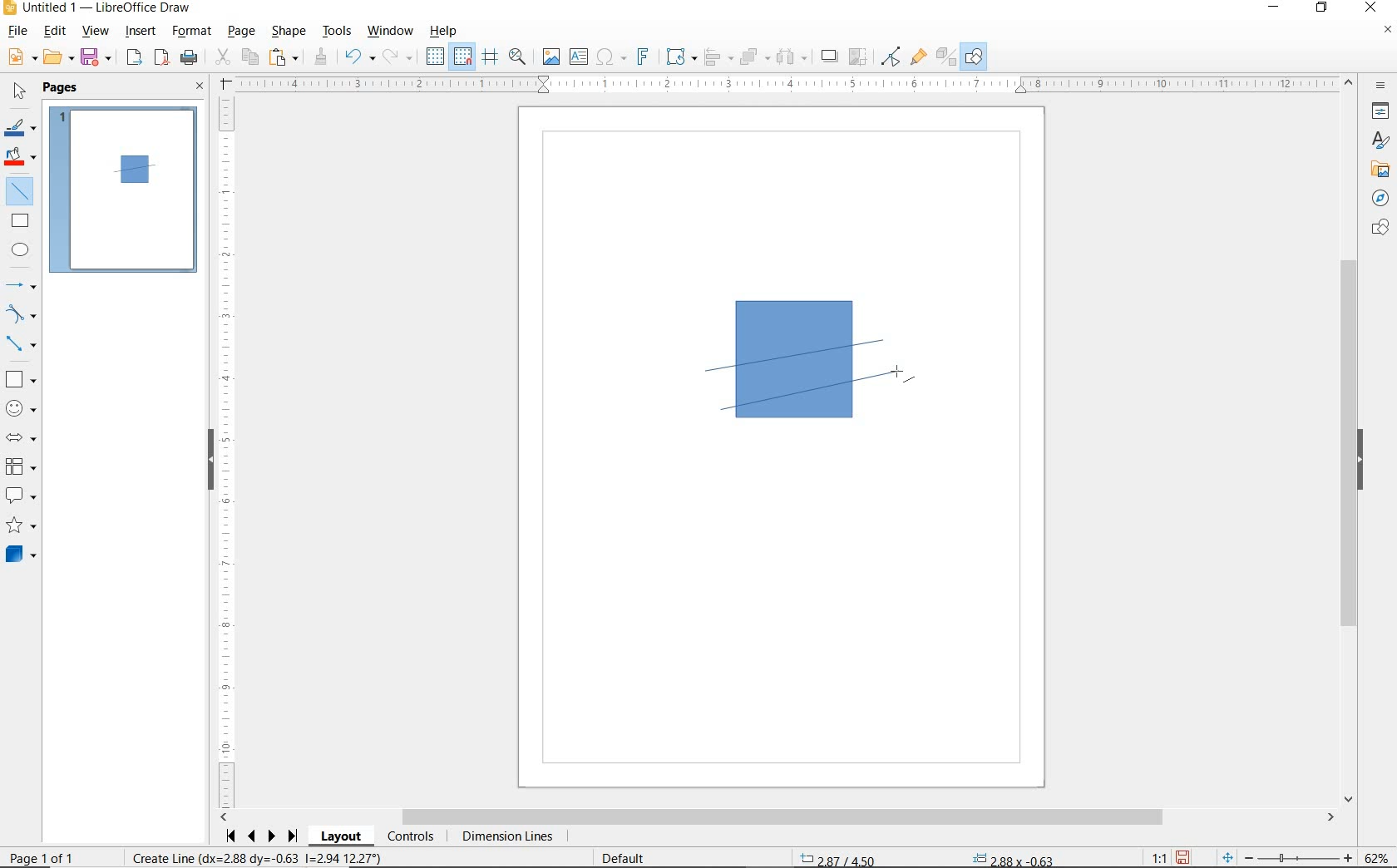  What do you see at coordinates (710, 373) in the screenshot?
I see `LINE TOOL` at bounding box center [710, 373].